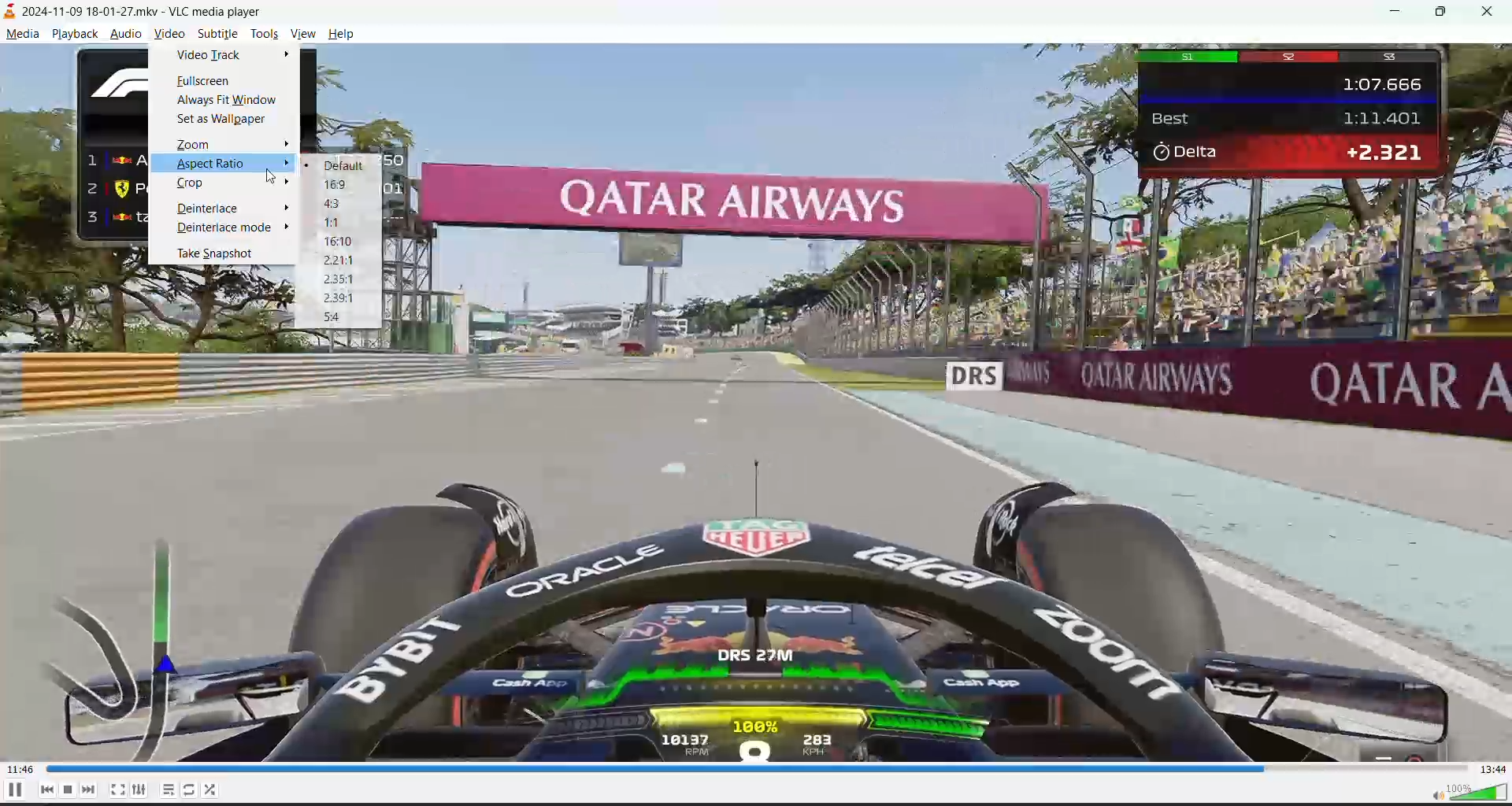  Describe the element at coordinates (1493, 769) in the screenshot. I see `total track time` at that location.